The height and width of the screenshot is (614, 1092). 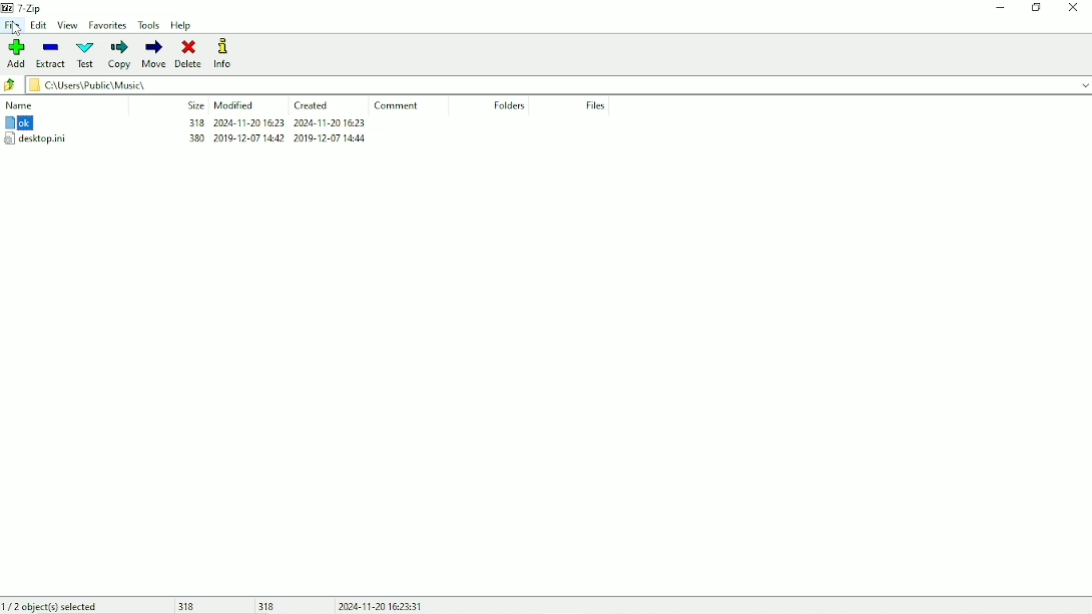 I want to click on drop down, so click(x=1085, y=84).